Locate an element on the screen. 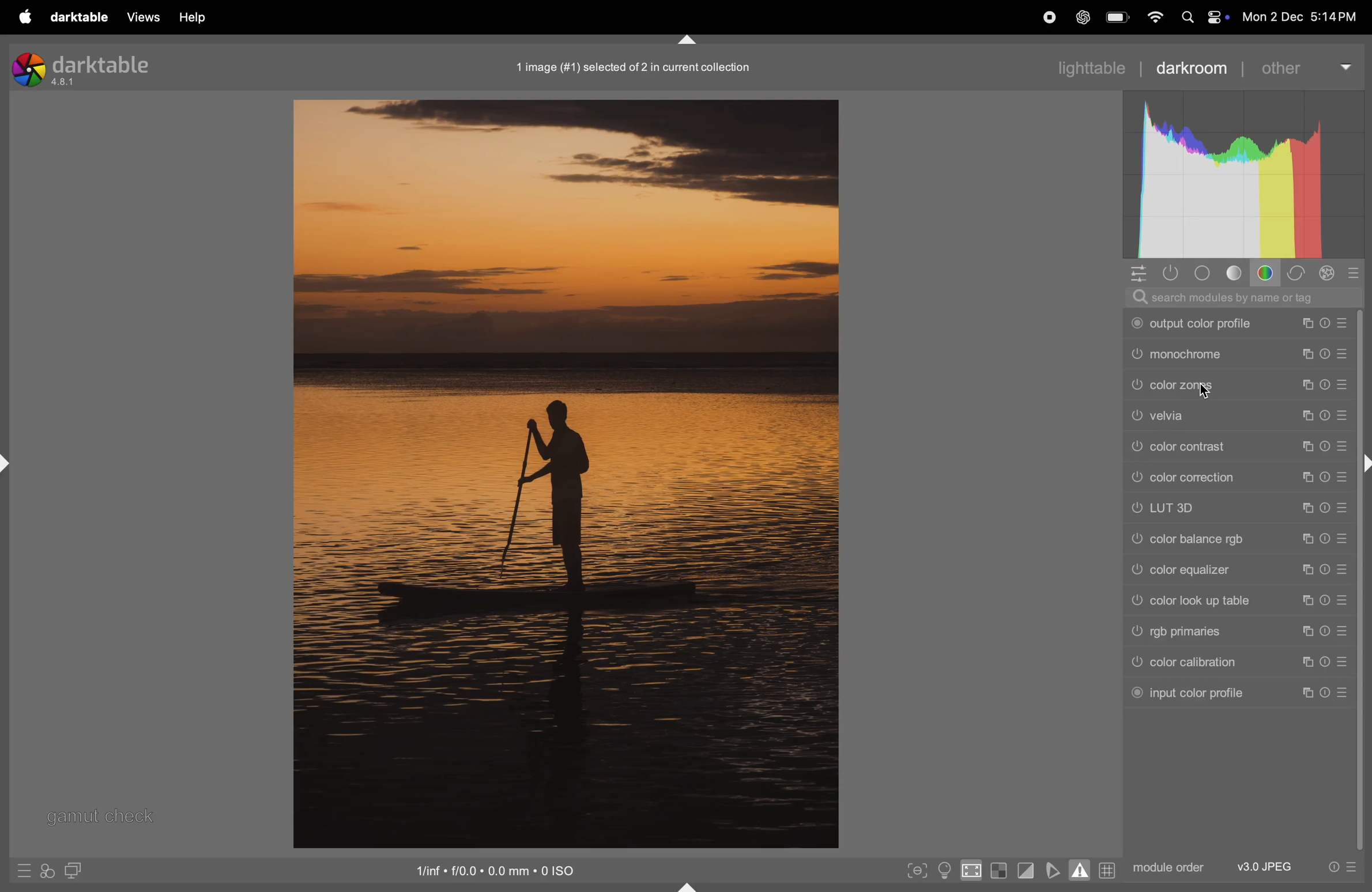 Image resolution: width=1372 pixels, height=892 pixels. 1 image (#1) selected of 2 in current collection is located at coordinates (632, 69).